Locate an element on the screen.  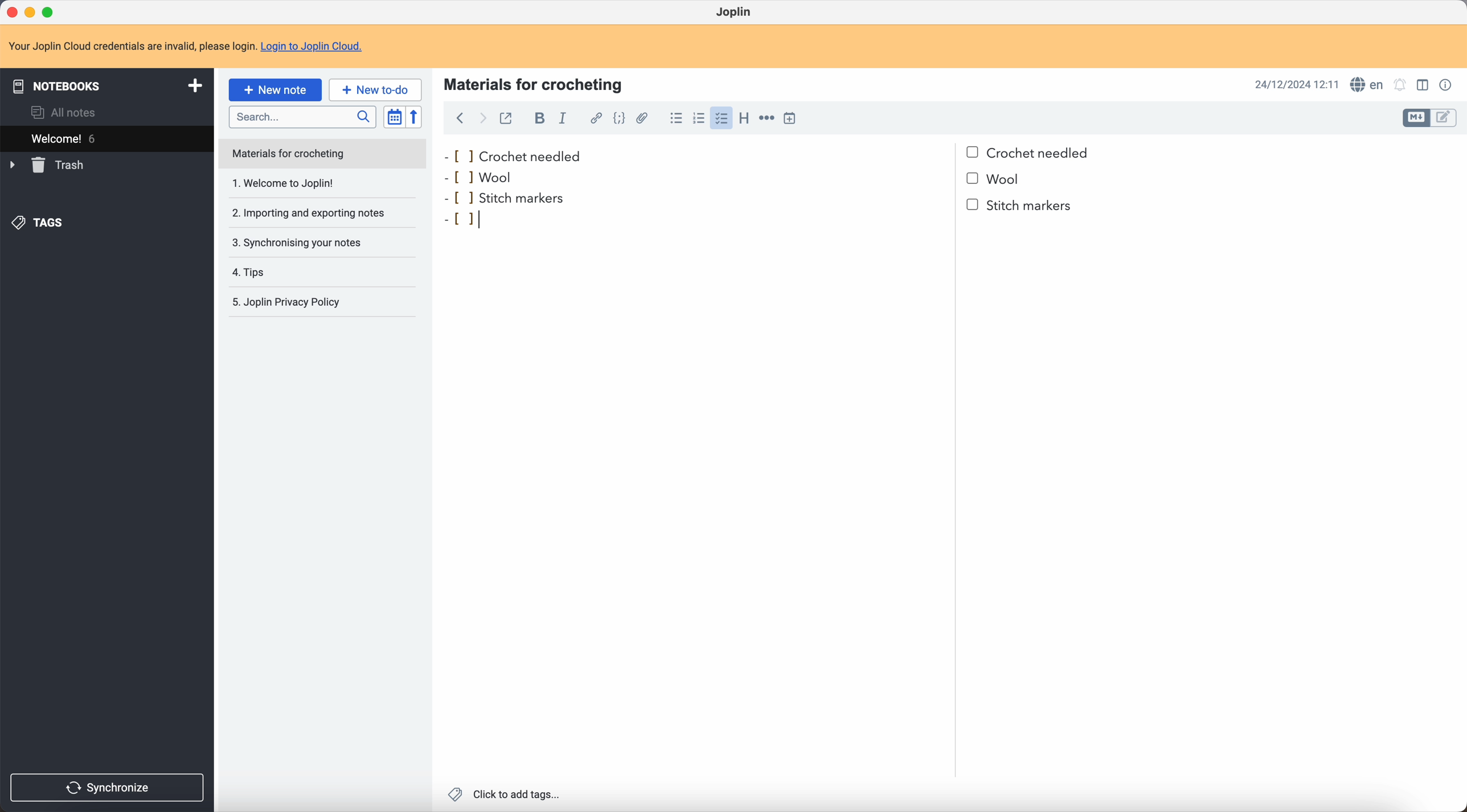
synchronize is located at coordinates (108, 788).